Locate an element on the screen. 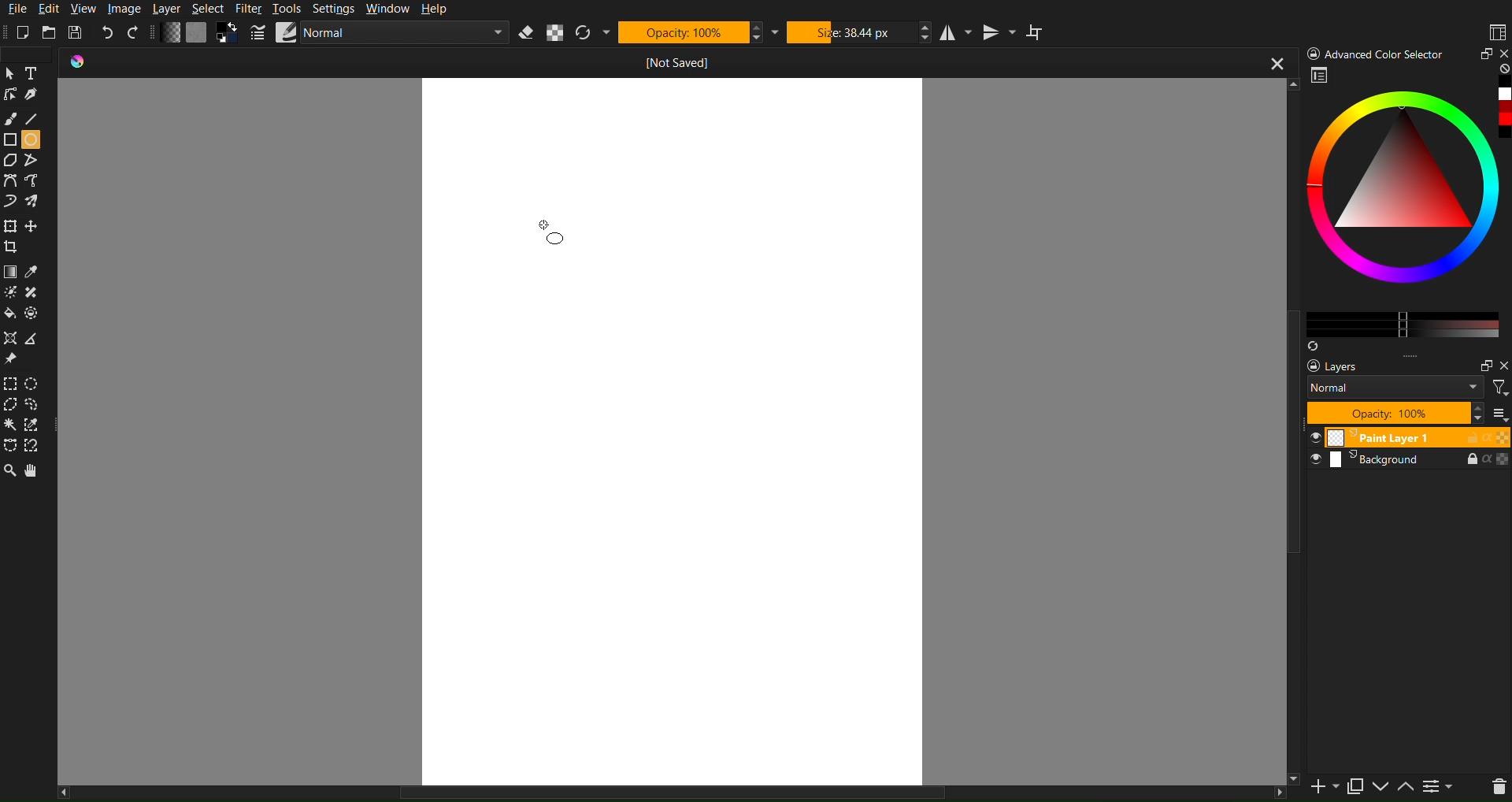  Color Settings is located at coordinates (198, 32).